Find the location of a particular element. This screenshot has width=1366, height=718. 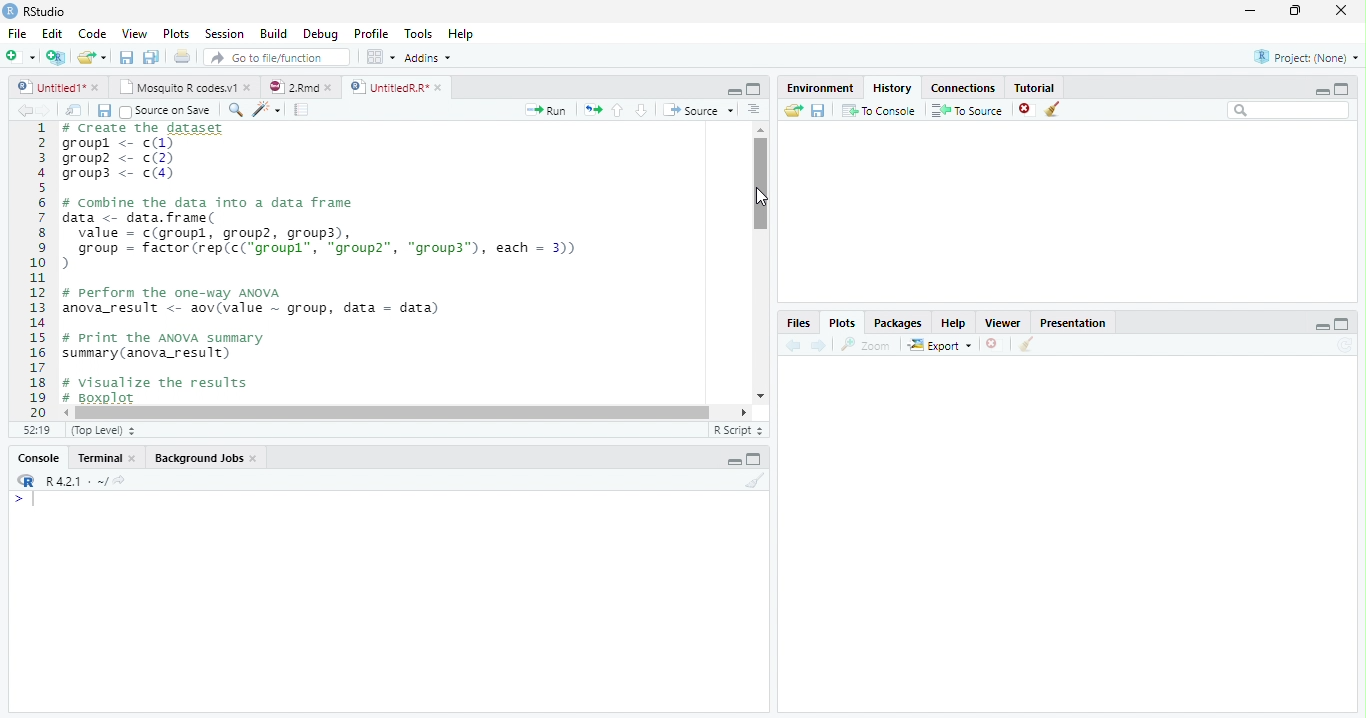

Edit is located at coordinates (51, 33).